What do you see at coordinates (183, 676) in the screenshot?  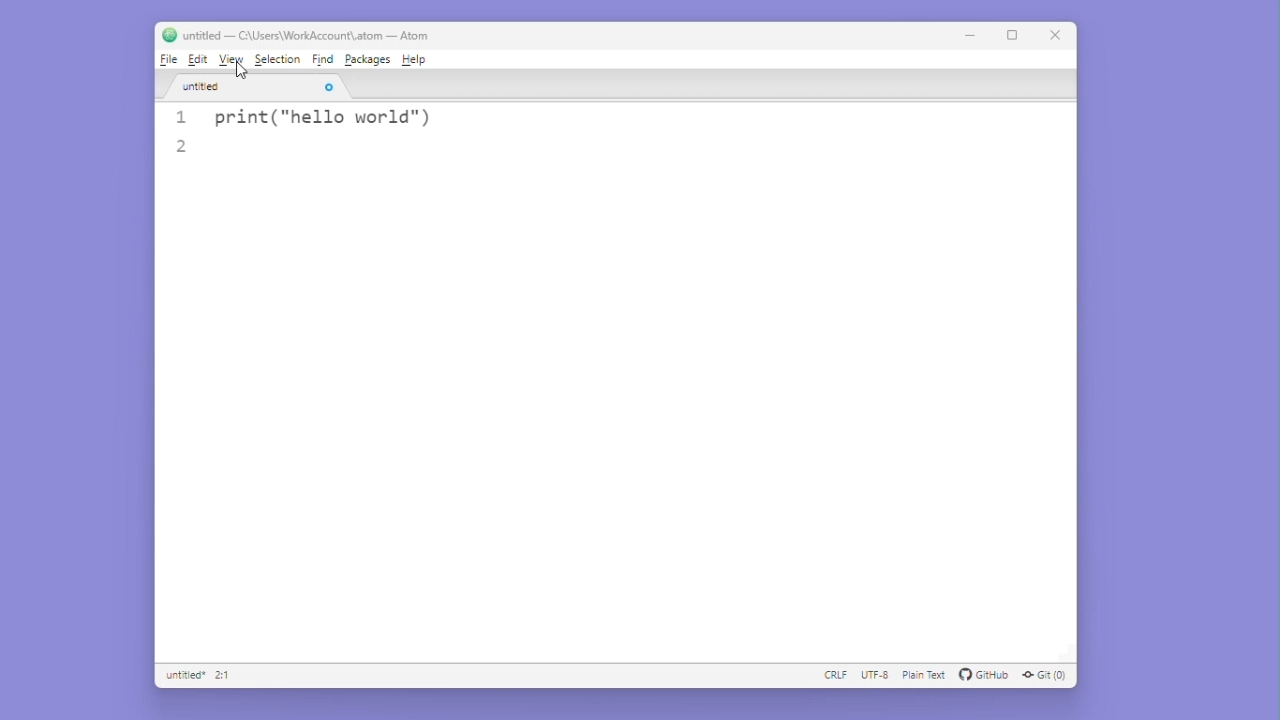 I see `untitled*` at bounding box center [183, 676].